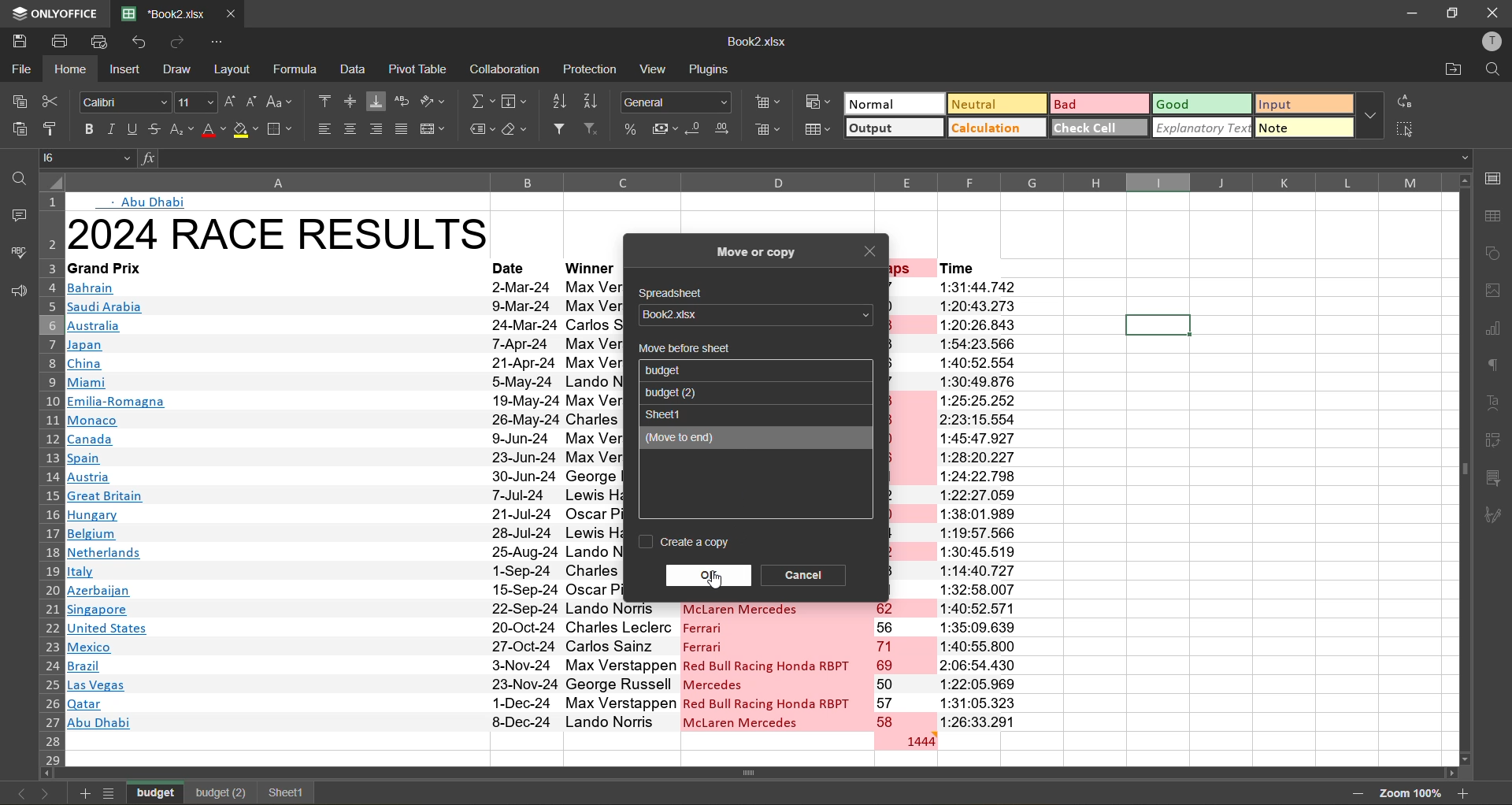  Describe the element at coordinates (1099, 127) in the screenshot. I see `check cell` at that location.